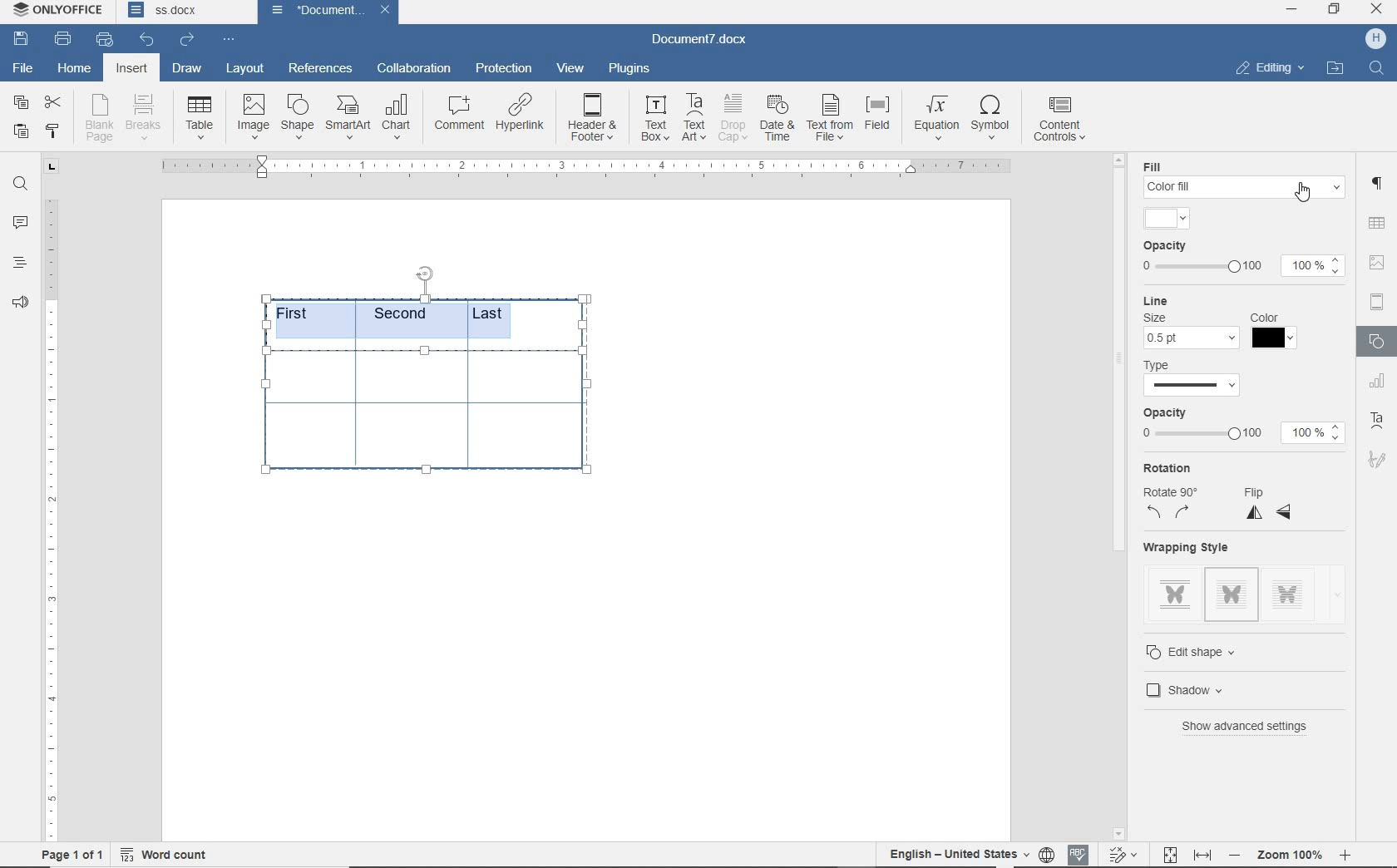 The width and height of the screenshot is (1397, 868). Describe the element at coordinates (63, 38) in the screenshot. I see `print` at that location.